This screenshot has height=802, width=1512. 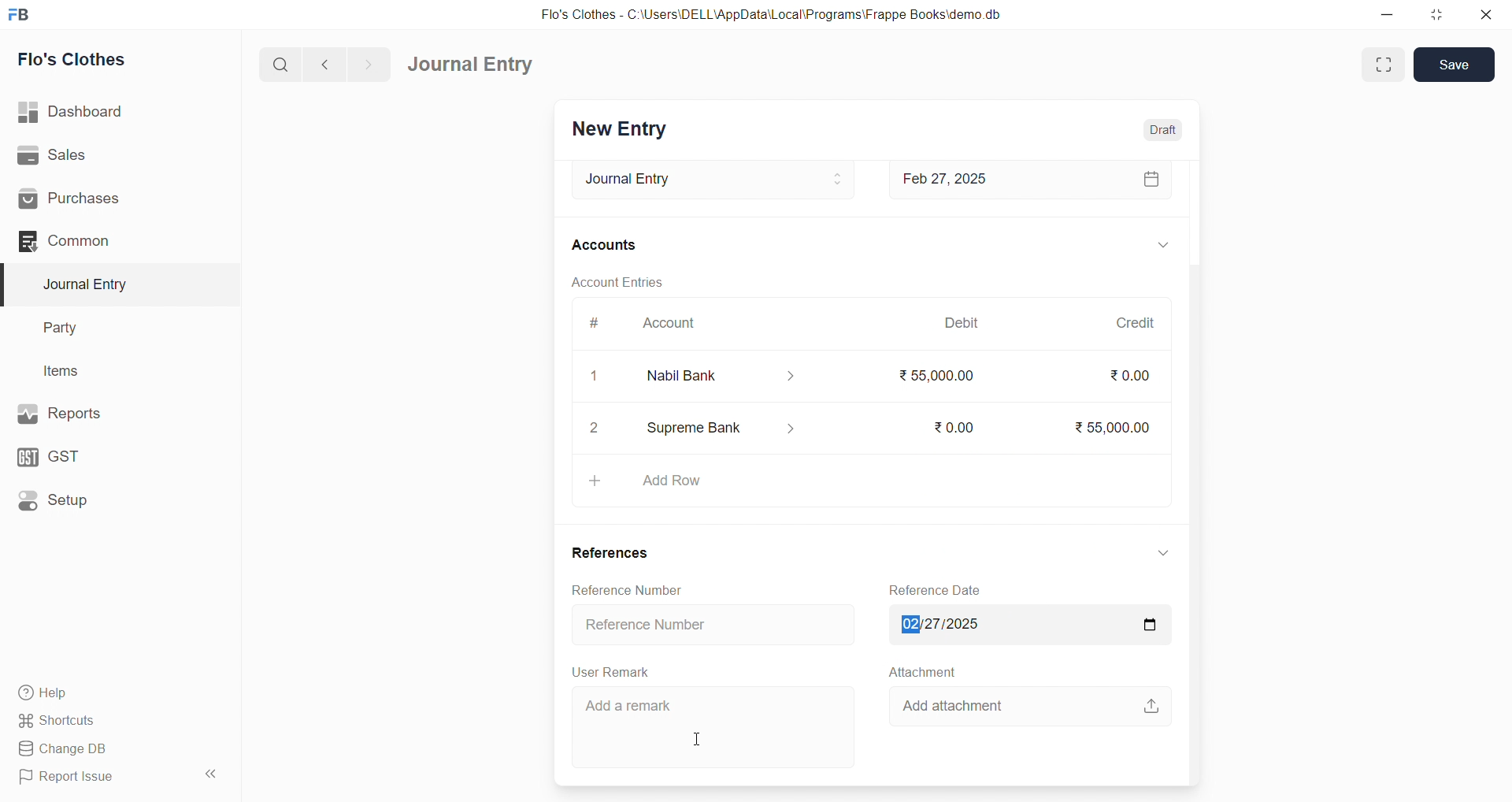 What do you see at coordinates (278, 66) in the screenshot?
I see `search` at bounding box center [278, 66].